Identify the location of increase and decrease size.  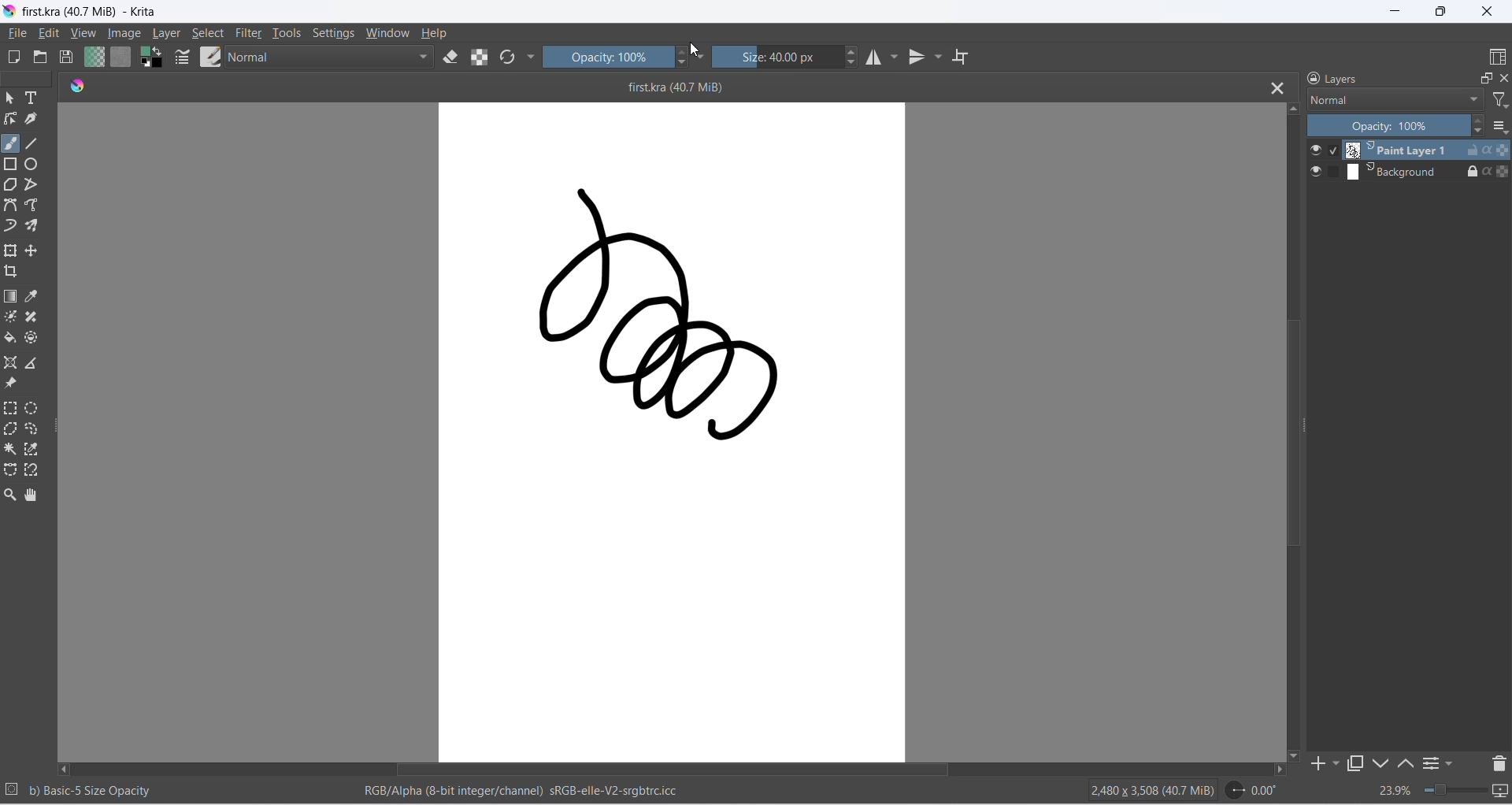
(851, 57).